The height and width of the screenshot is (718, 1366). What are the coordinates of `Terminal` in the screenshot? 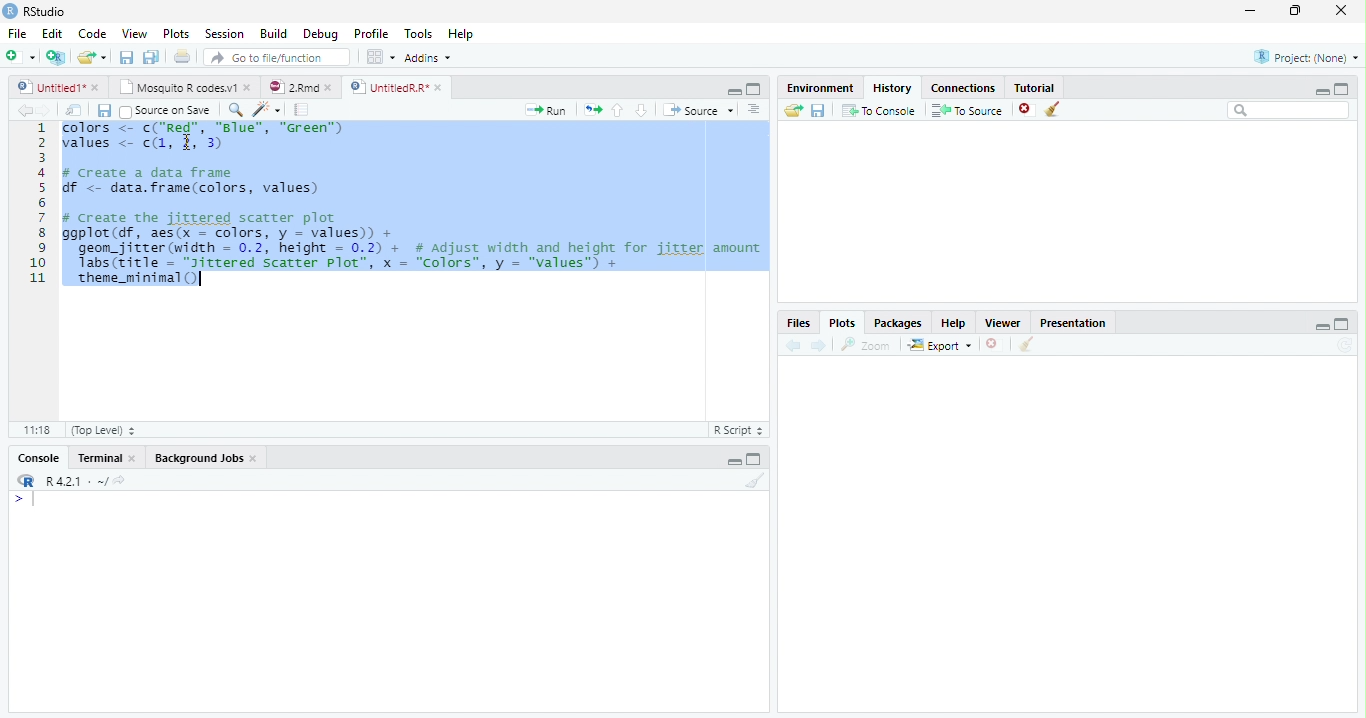 It's located at (99, 458).